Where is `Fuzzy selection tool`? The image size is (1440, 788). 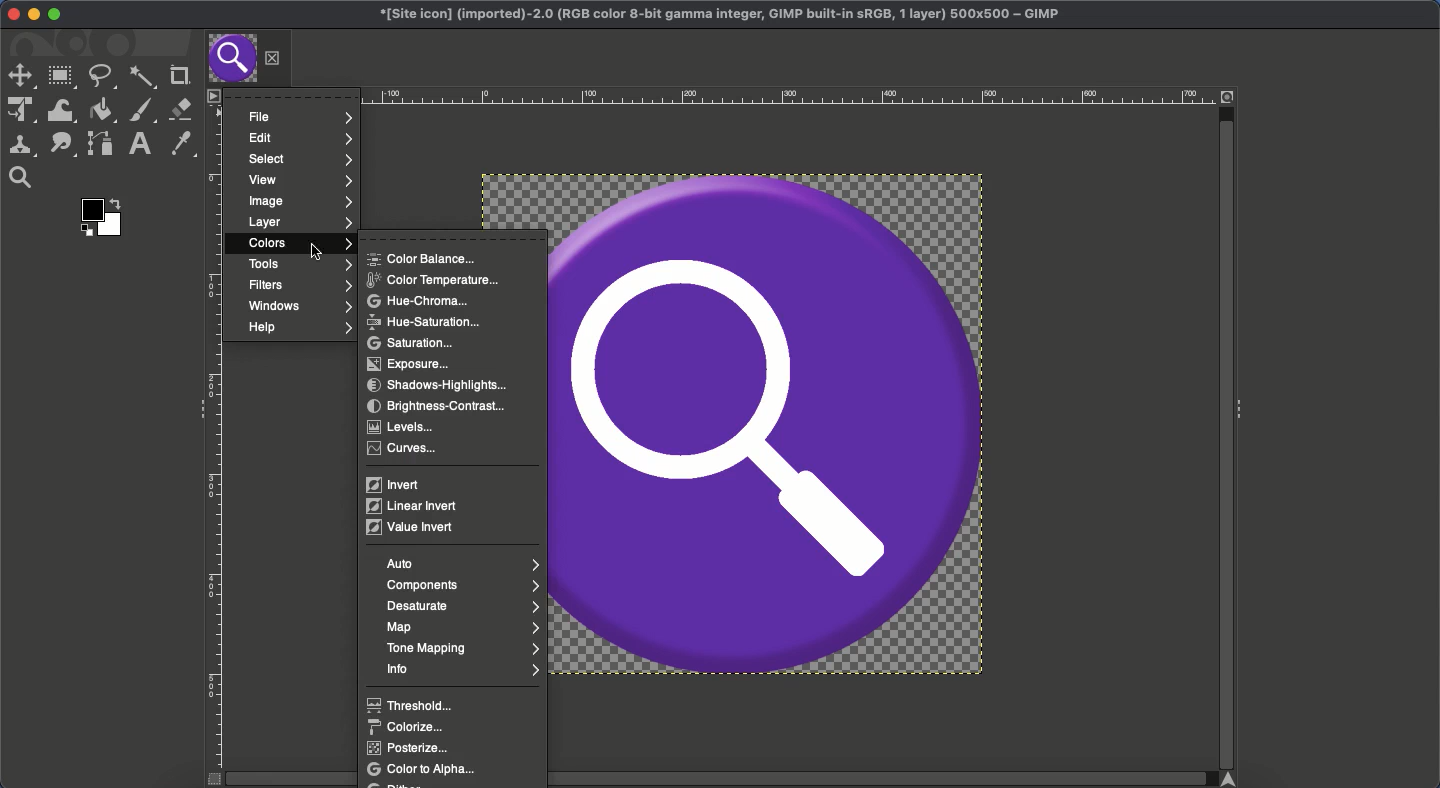
Fuzzy selection tool is located at coordinates (143, 79).